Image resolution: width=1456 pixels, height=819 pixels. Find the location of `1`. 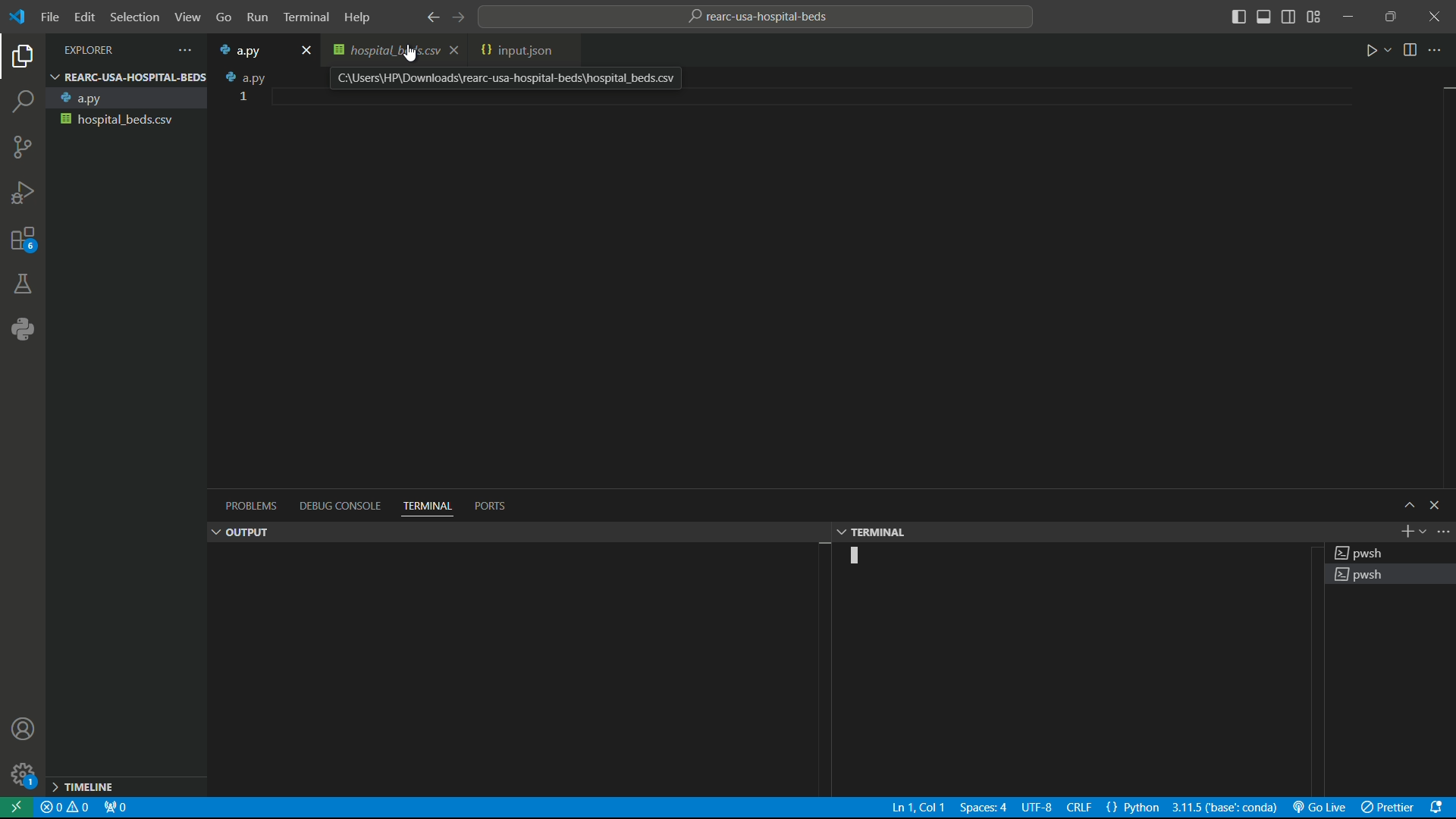

1 is located at coordinates (243, 96).